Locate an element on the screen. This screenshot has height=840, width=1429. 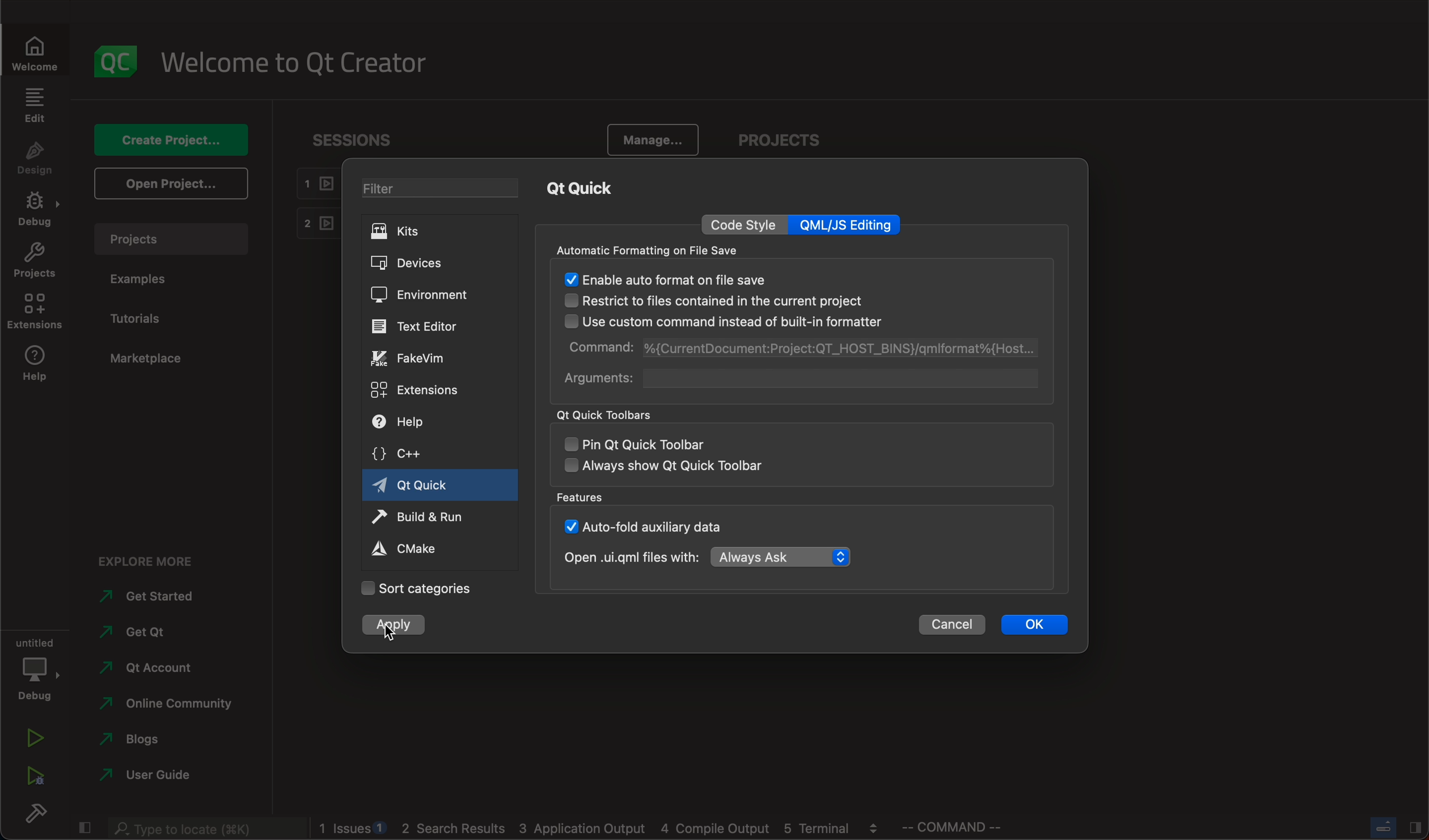
automatic formatting is located at coordinates (645, 248).